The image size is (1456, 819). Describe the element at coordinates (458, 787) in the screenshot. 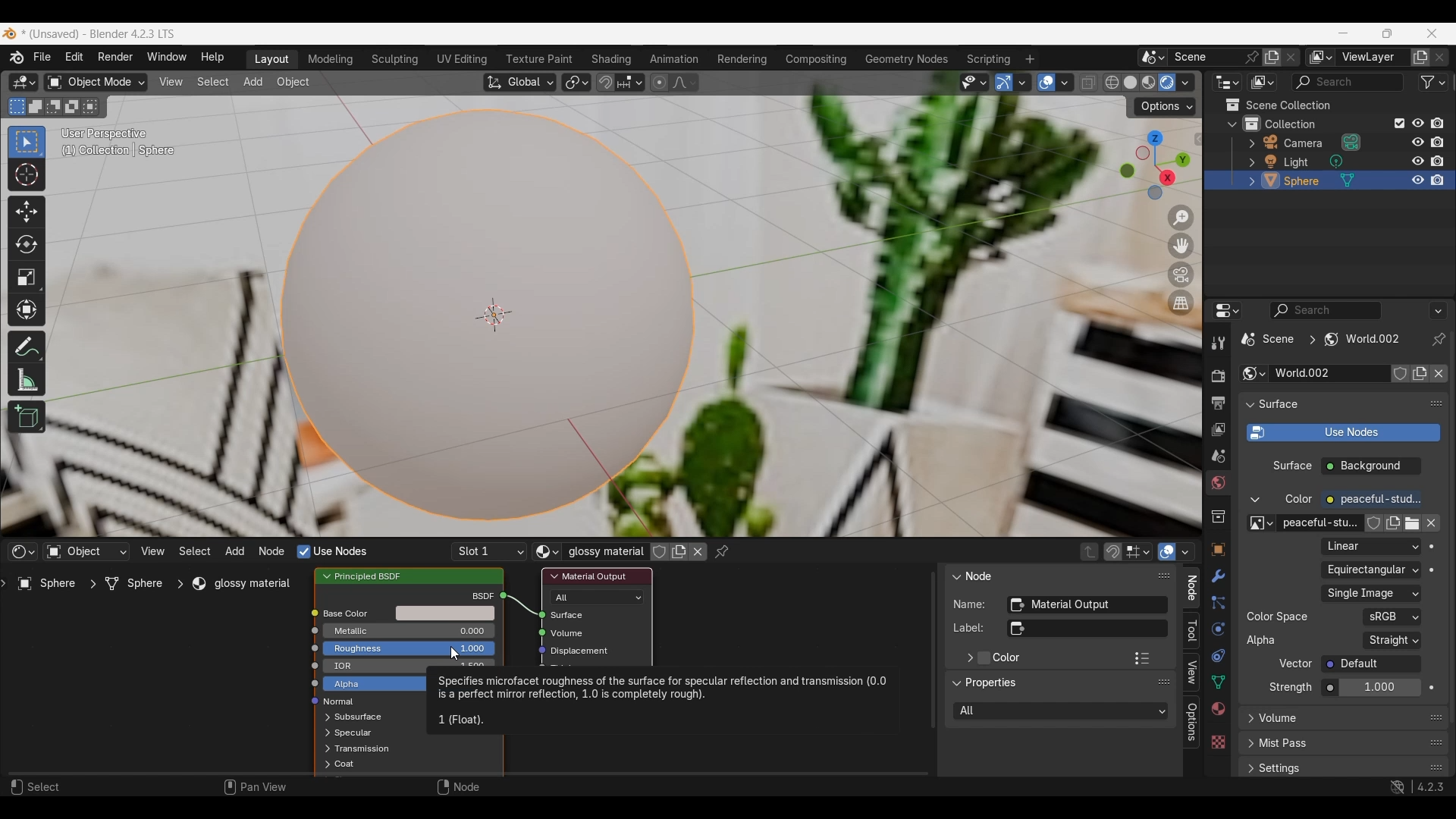

I see `Node` at that location.